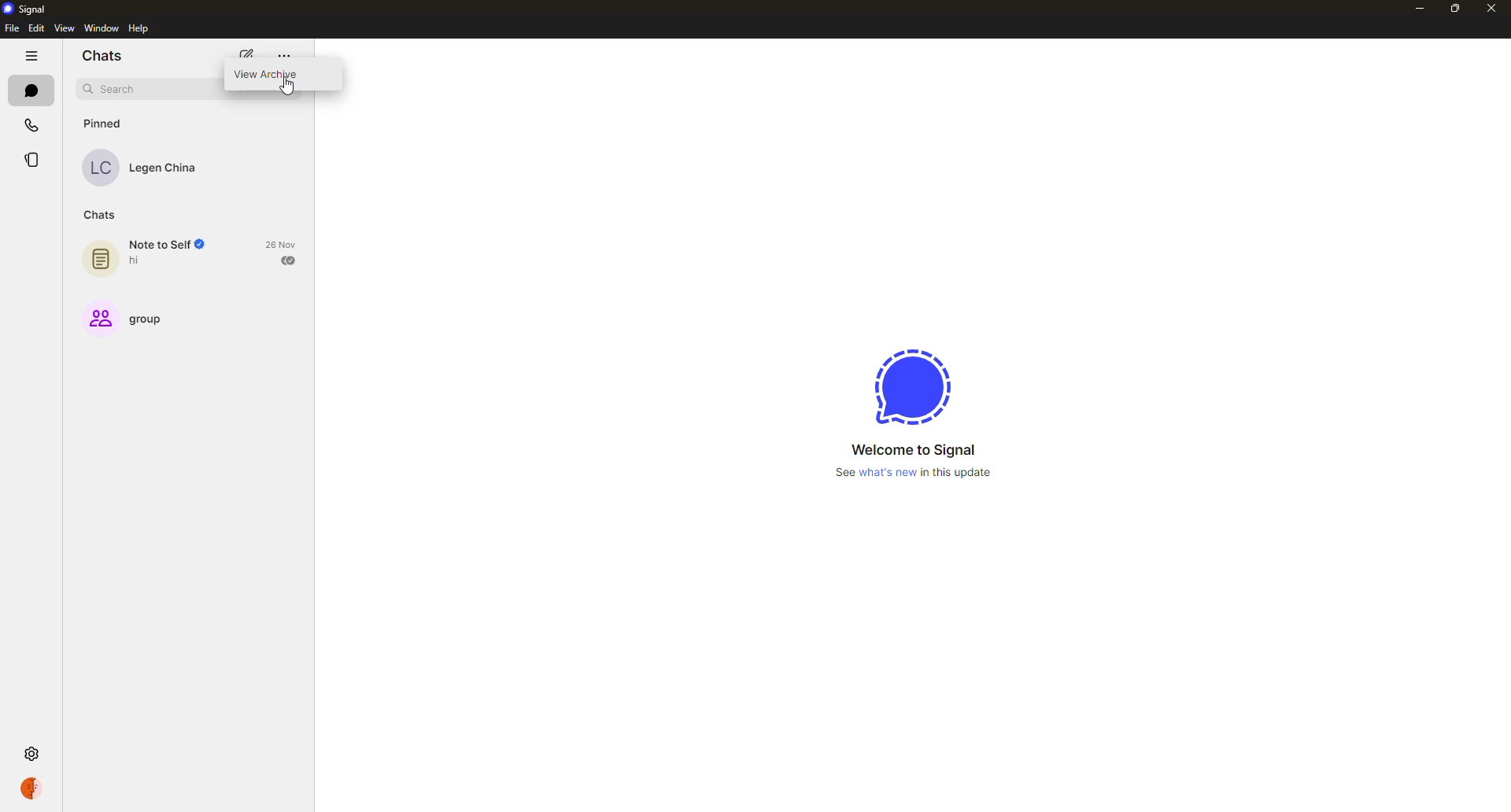 The width and height of the screenshot is (1511, 812). Describe the element at coordinates (66, 28) in the screenshot. I see `view` at that location.